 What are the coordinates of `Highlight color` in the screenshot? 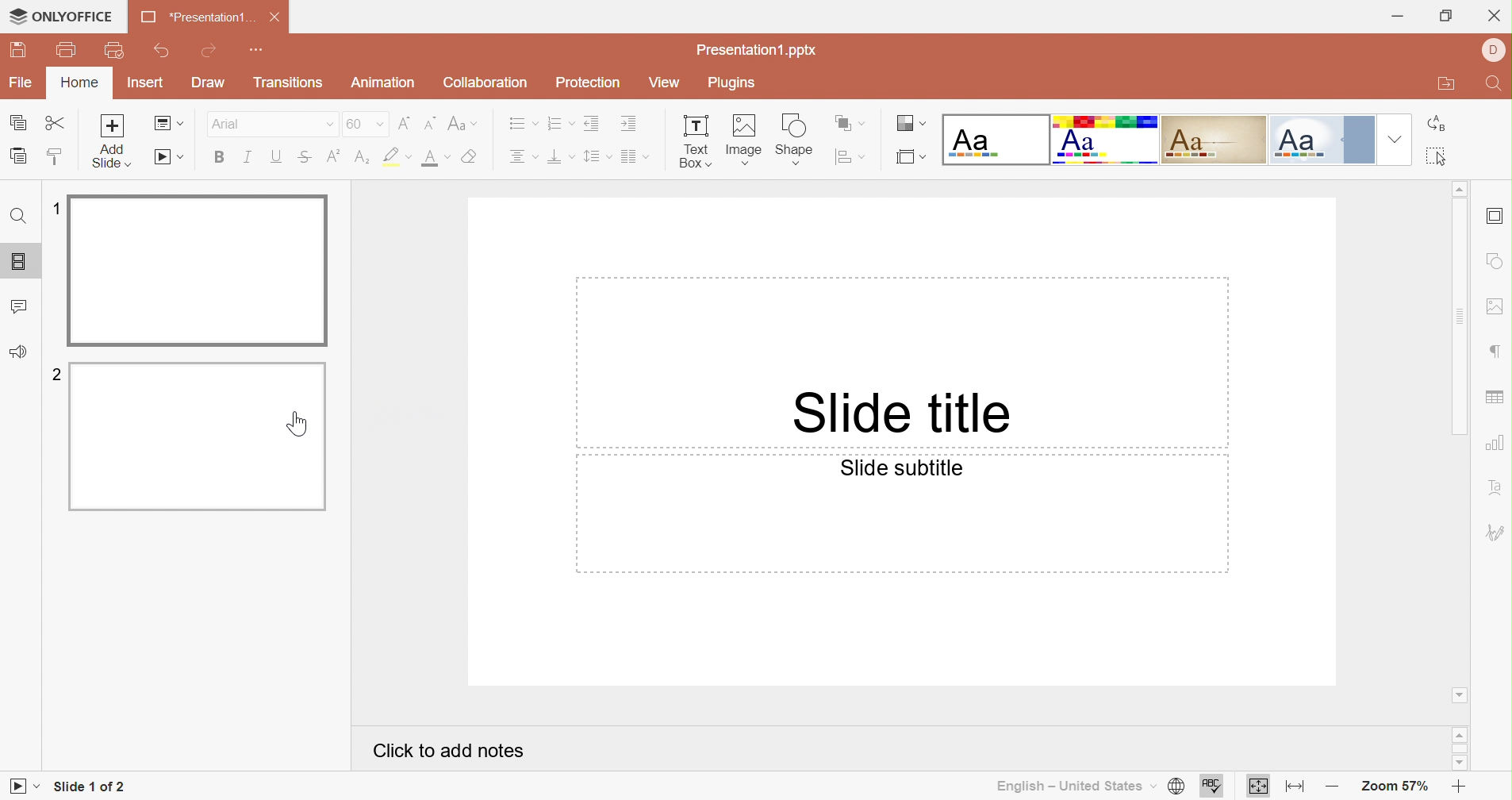 It's located at (398, 156).